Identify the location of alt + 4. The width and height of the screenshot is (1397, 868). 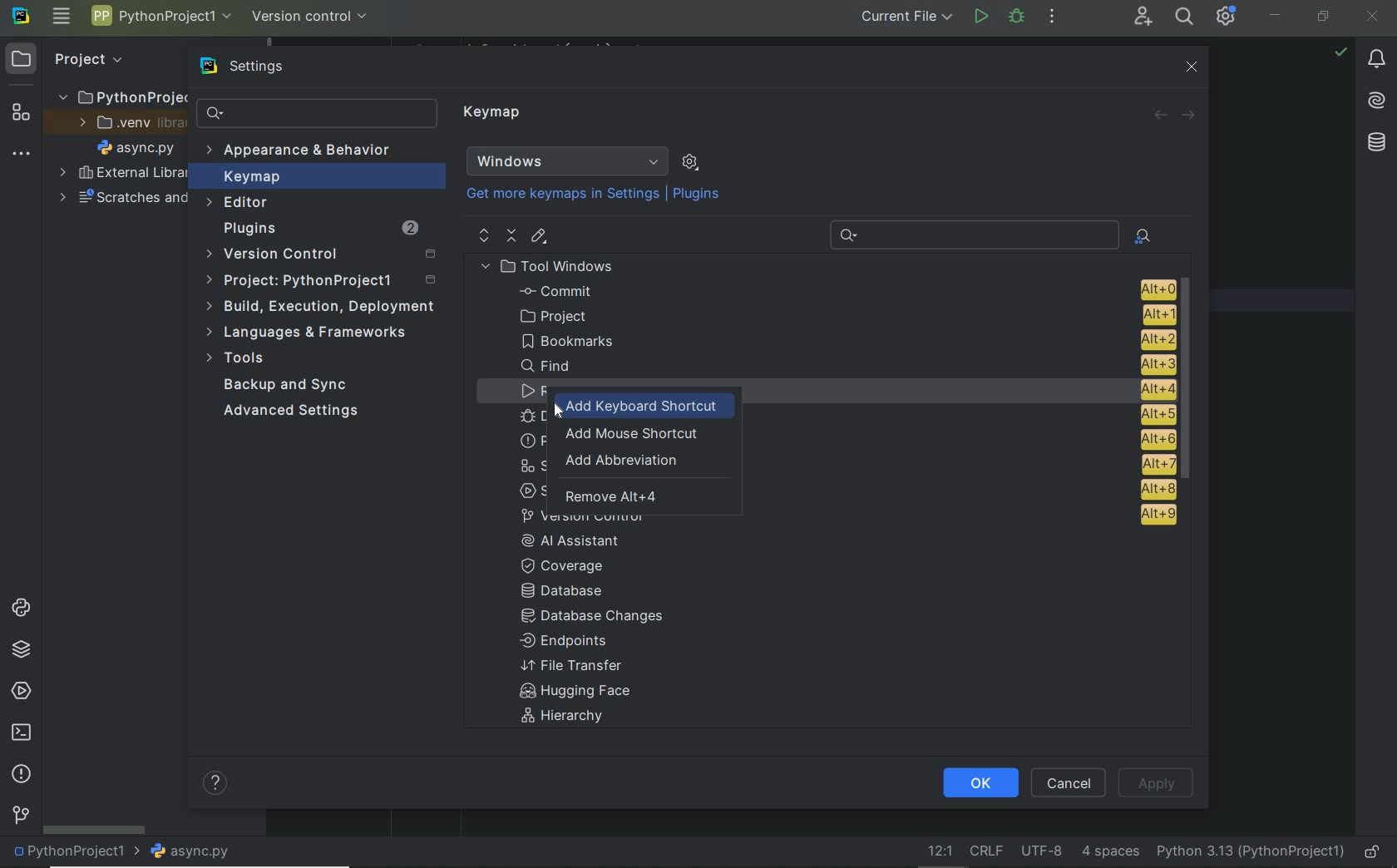
(1150, 389).